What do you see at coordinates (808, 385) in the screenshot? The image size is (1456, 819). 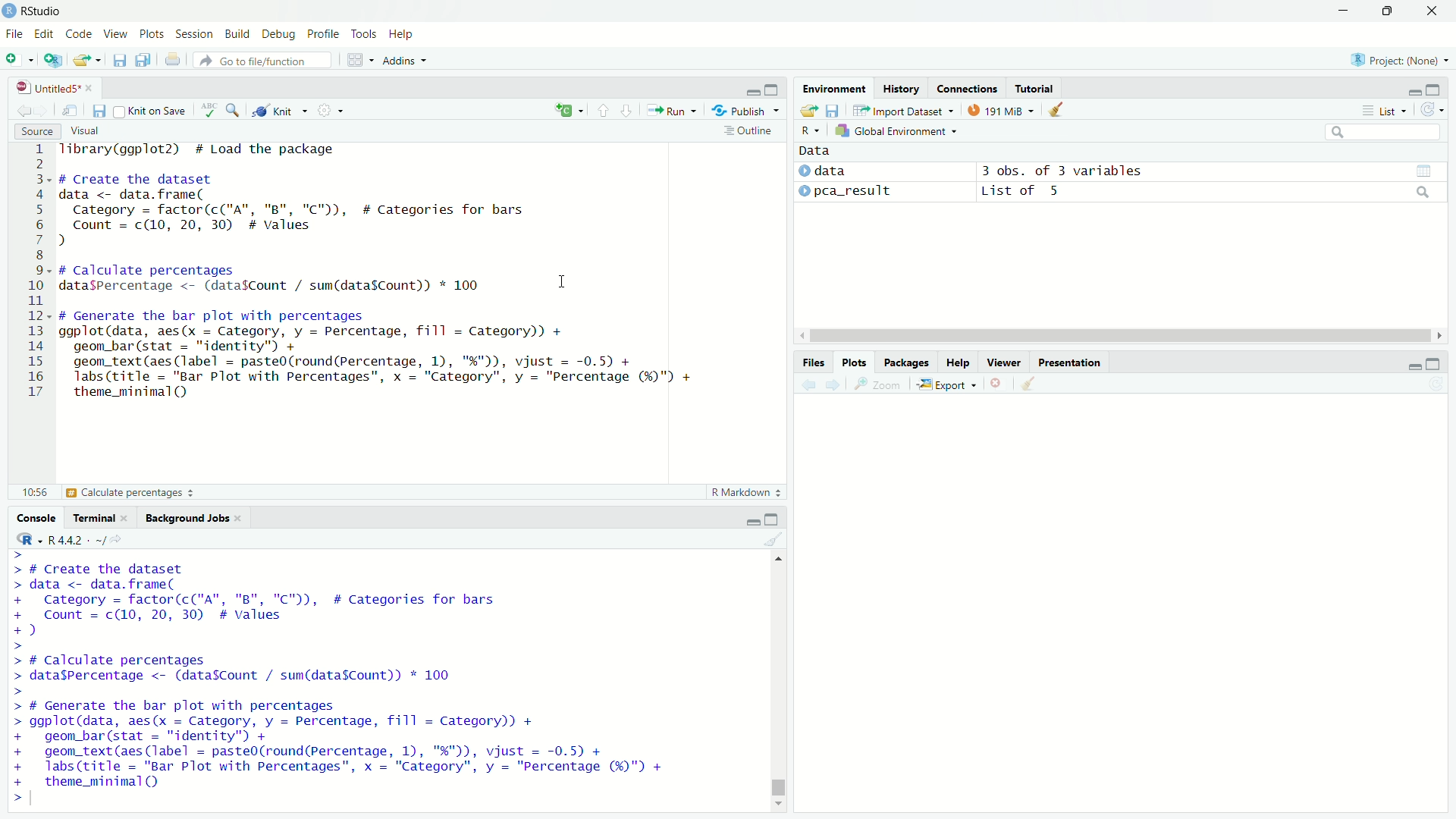 I see `go back` at bounding box center [808, 385].